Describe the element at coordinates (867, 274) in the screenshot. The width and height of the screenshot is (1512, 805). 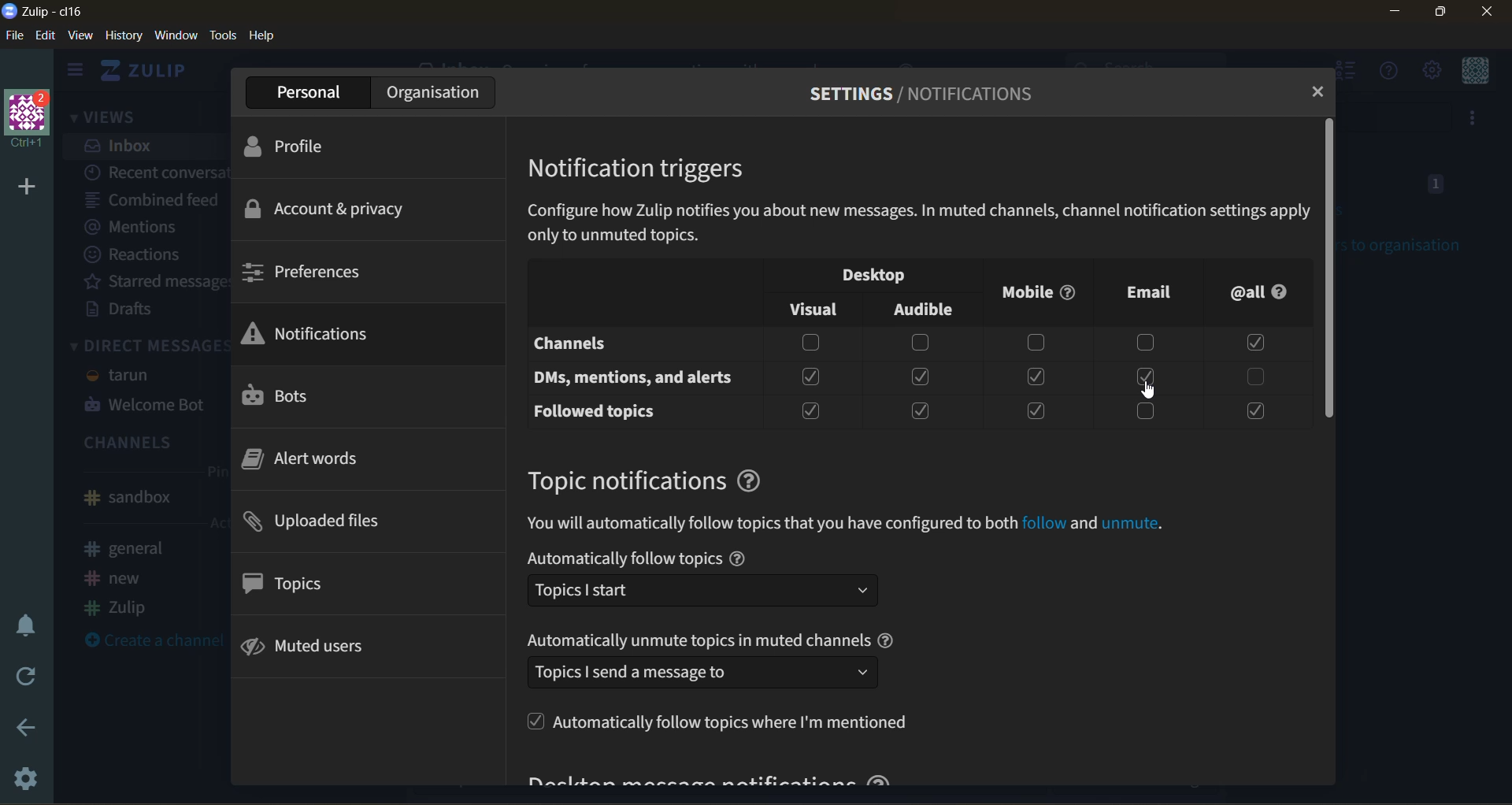
I see `desktop` at that location.